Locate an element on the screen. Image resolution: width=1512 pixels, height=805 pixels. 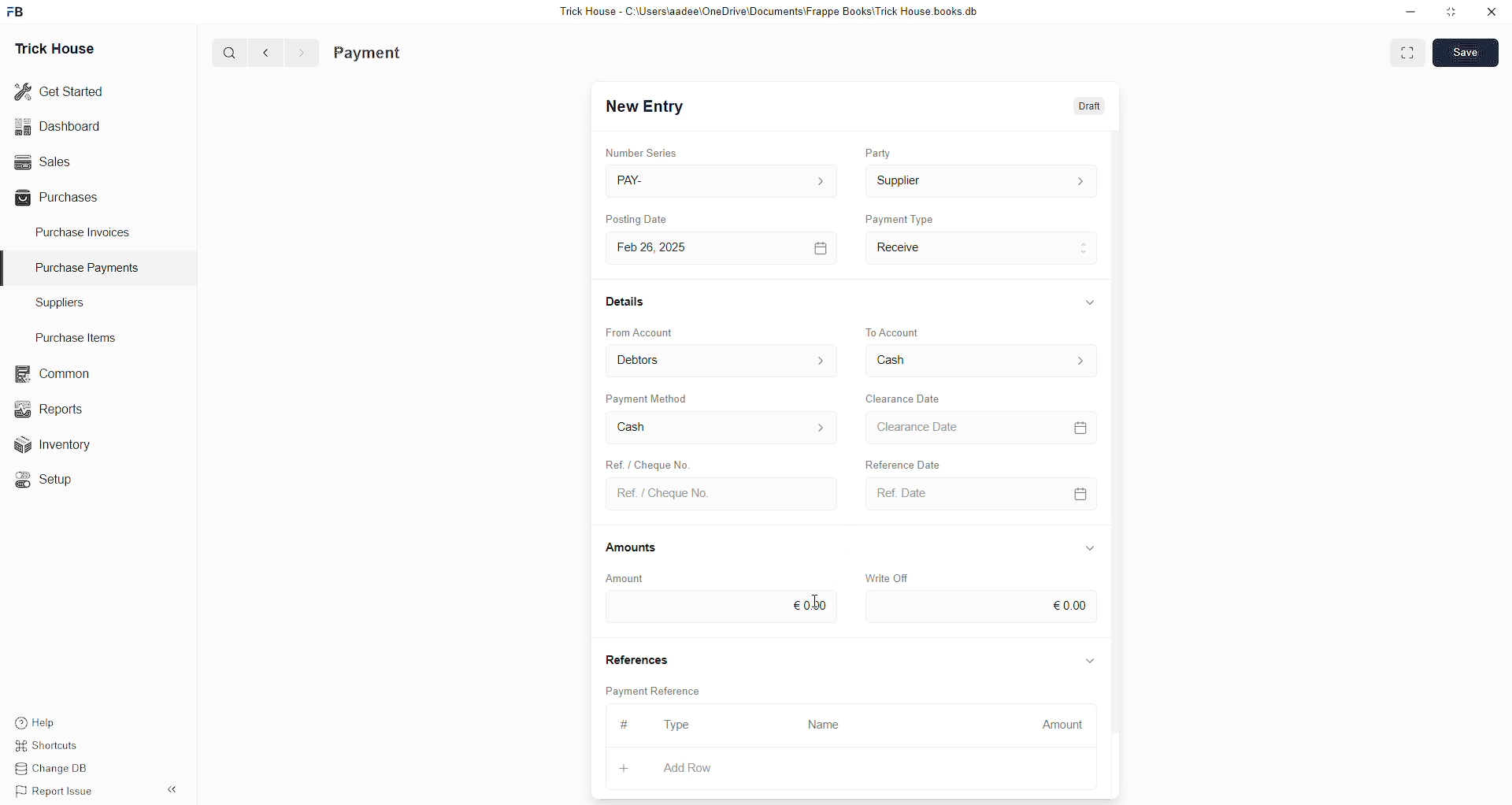
Ref. / Cheque No. is located at coordinates (719, 492).